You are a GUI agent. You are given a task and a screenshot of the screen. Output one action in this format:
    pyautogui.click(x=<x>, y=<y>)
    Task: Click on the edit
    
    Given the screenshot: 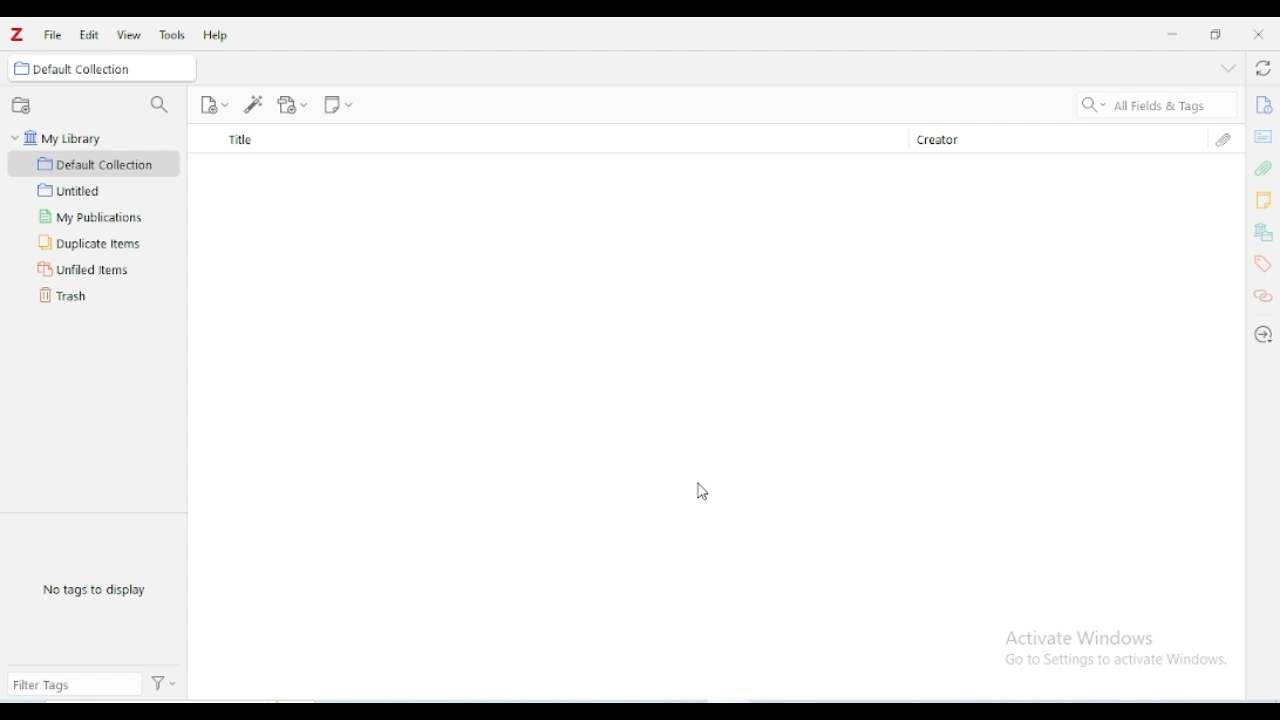 What is the action you would take?
    pyautogui.click(x=89, y=35)
    